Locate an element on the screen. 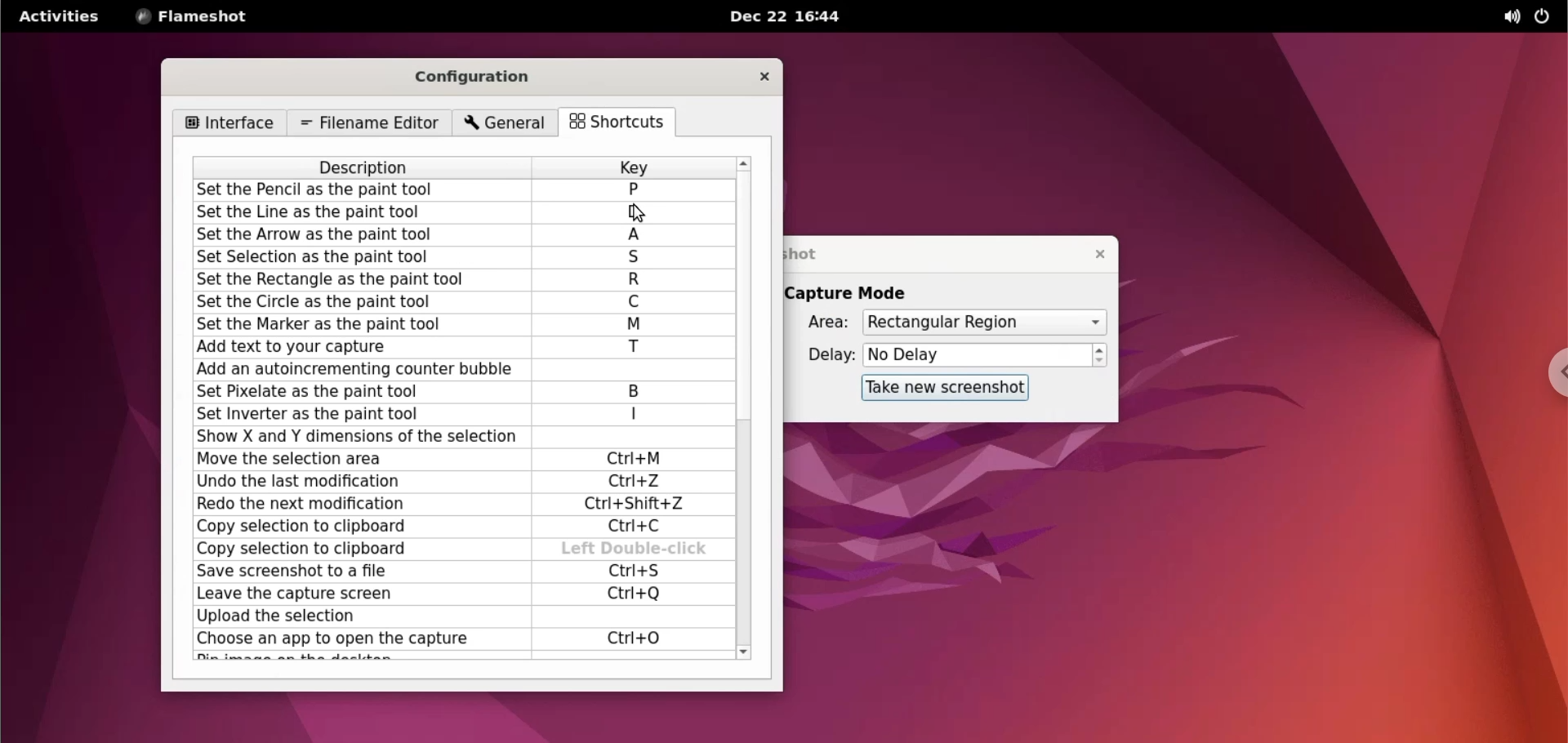 This screenshot has height=743, width=1568. Ctrl + C  is located at coordinates (639, 527).